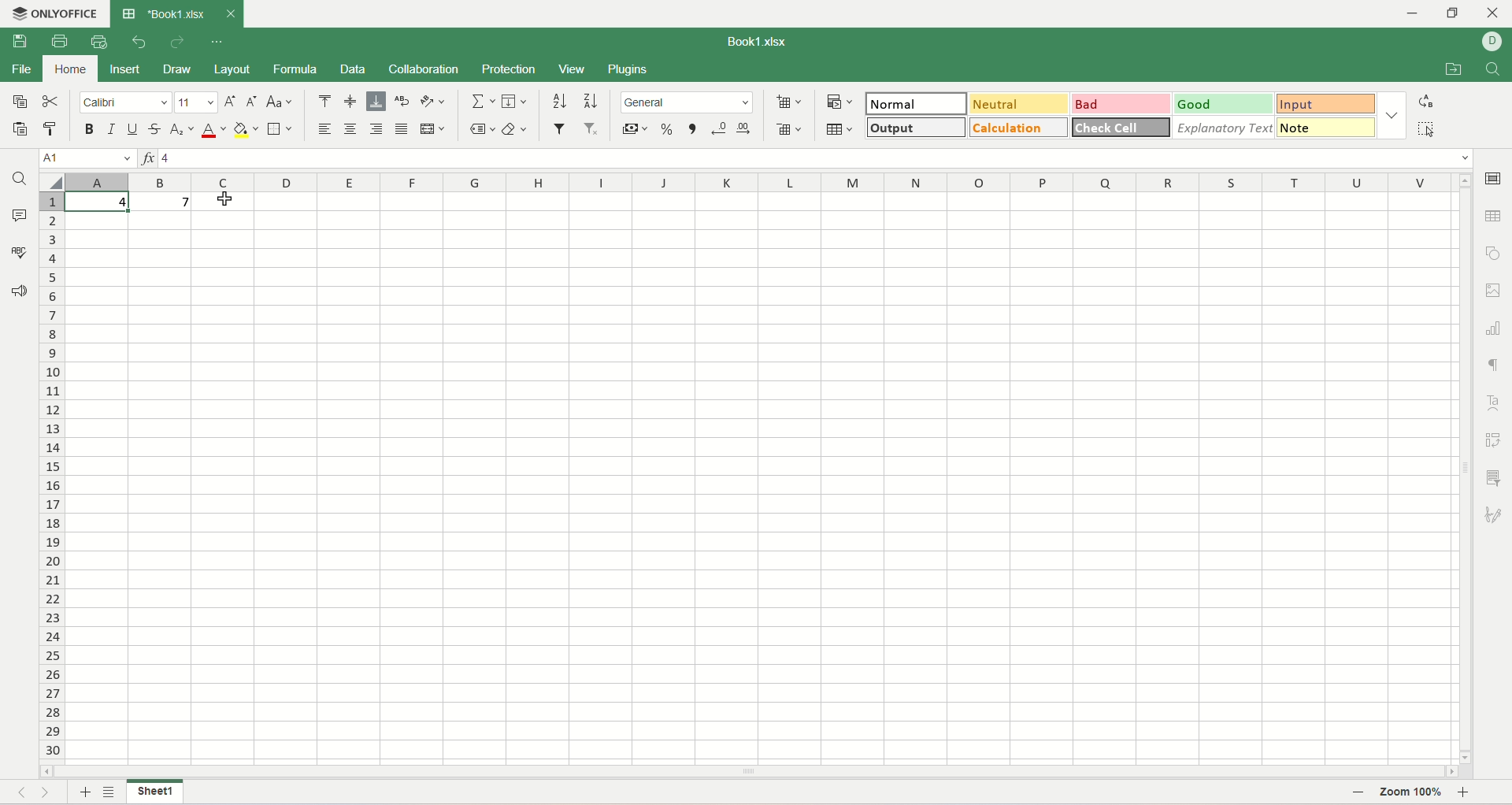  What do you see at coordinates (515, 130) in the screenshot?
I see `clear` at bounding box center [515, 130].